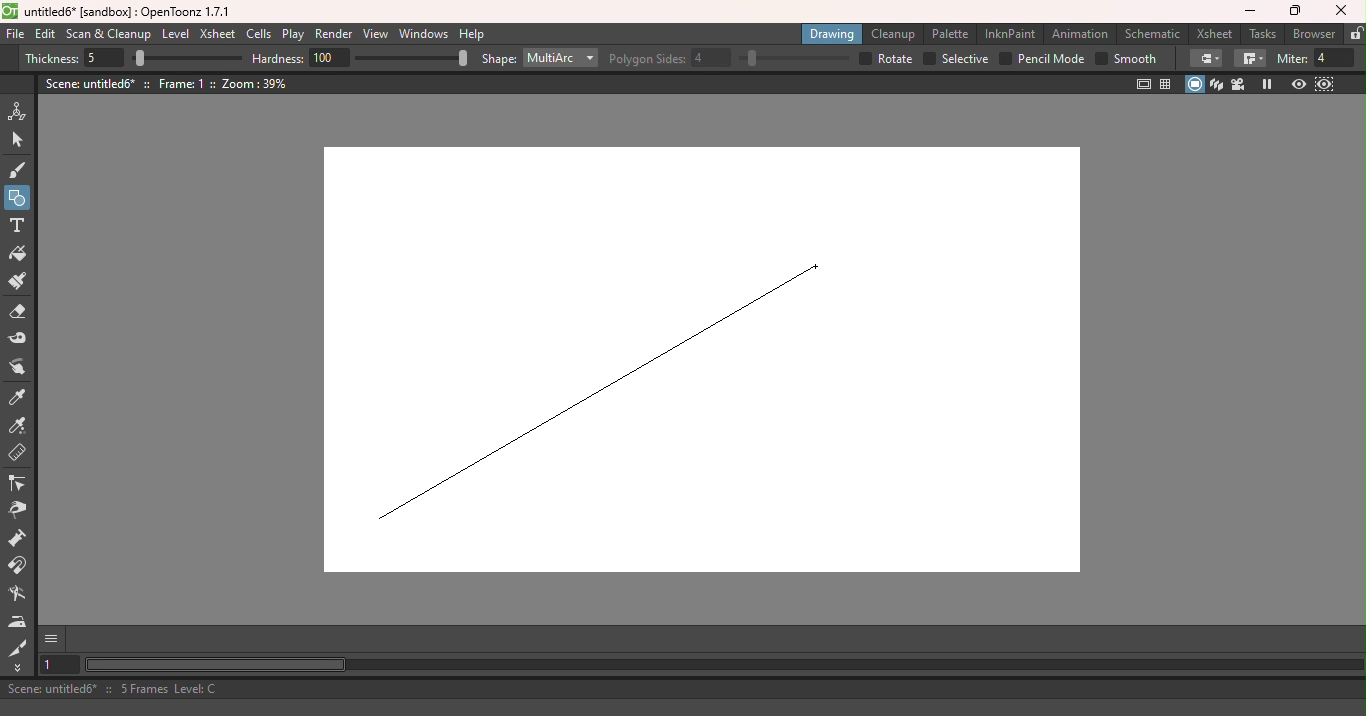 The image size is (1366, 716). Describe the element at coordinates (716, 361) in the screenshot. I see `Canvas` at that location.